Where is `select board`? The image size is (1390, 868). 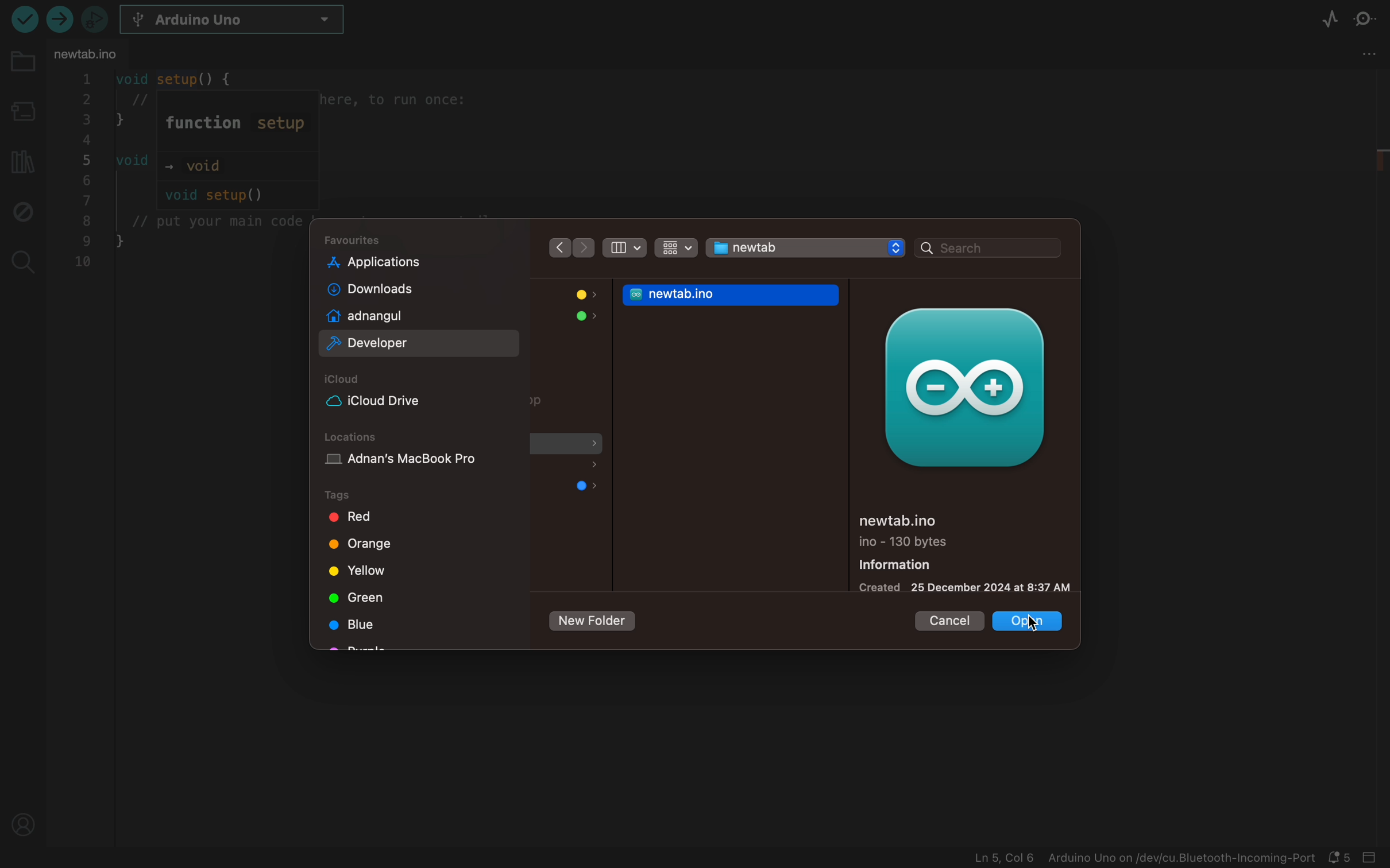 select board is located at coordinates (242, 21).